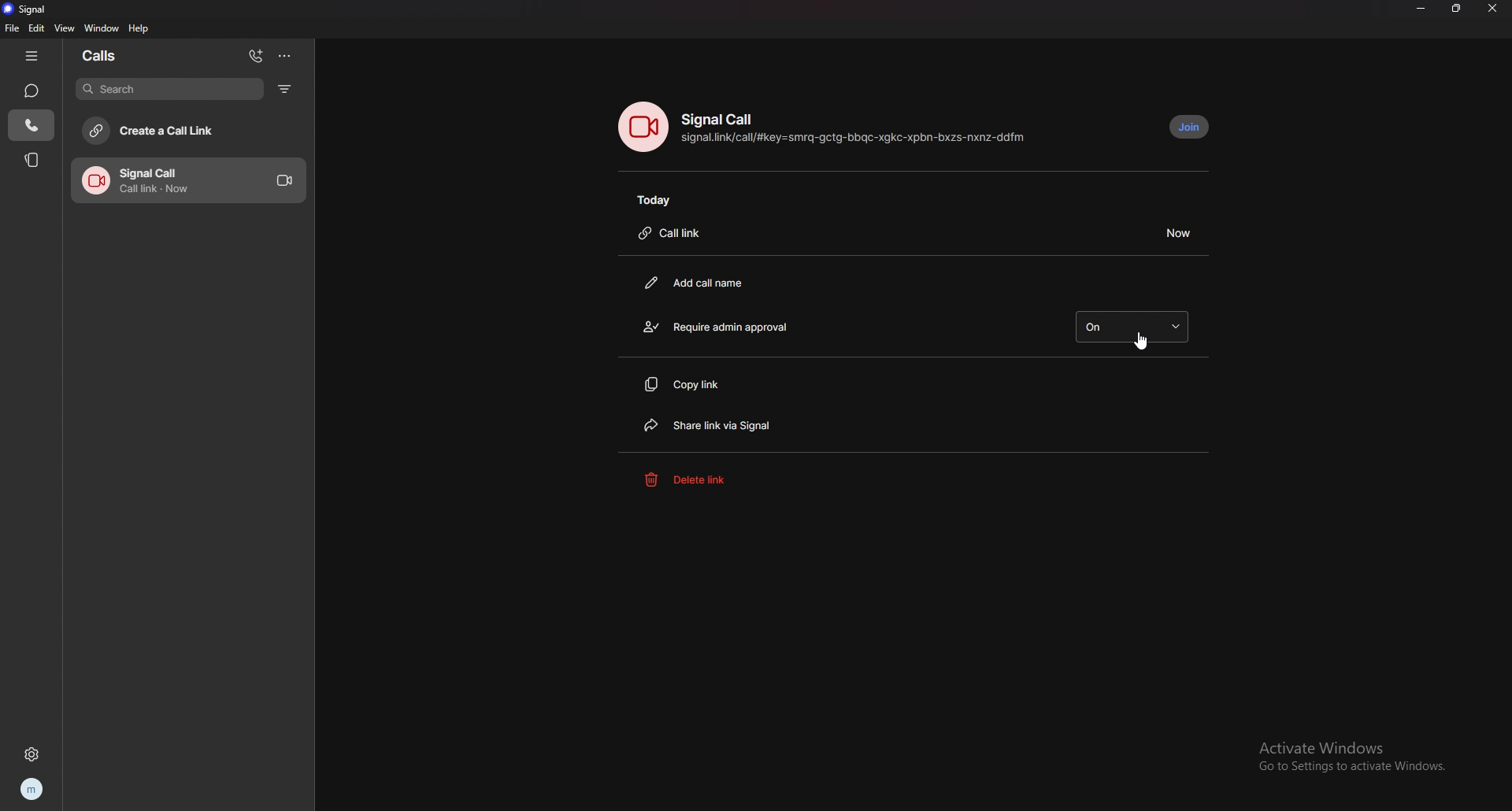 Image resolution: width=1512 pixels, height=811 pixels. What do you see at coordinates (659, 200) in the screenshot?
I see `today` at bounding box center [659, 200].